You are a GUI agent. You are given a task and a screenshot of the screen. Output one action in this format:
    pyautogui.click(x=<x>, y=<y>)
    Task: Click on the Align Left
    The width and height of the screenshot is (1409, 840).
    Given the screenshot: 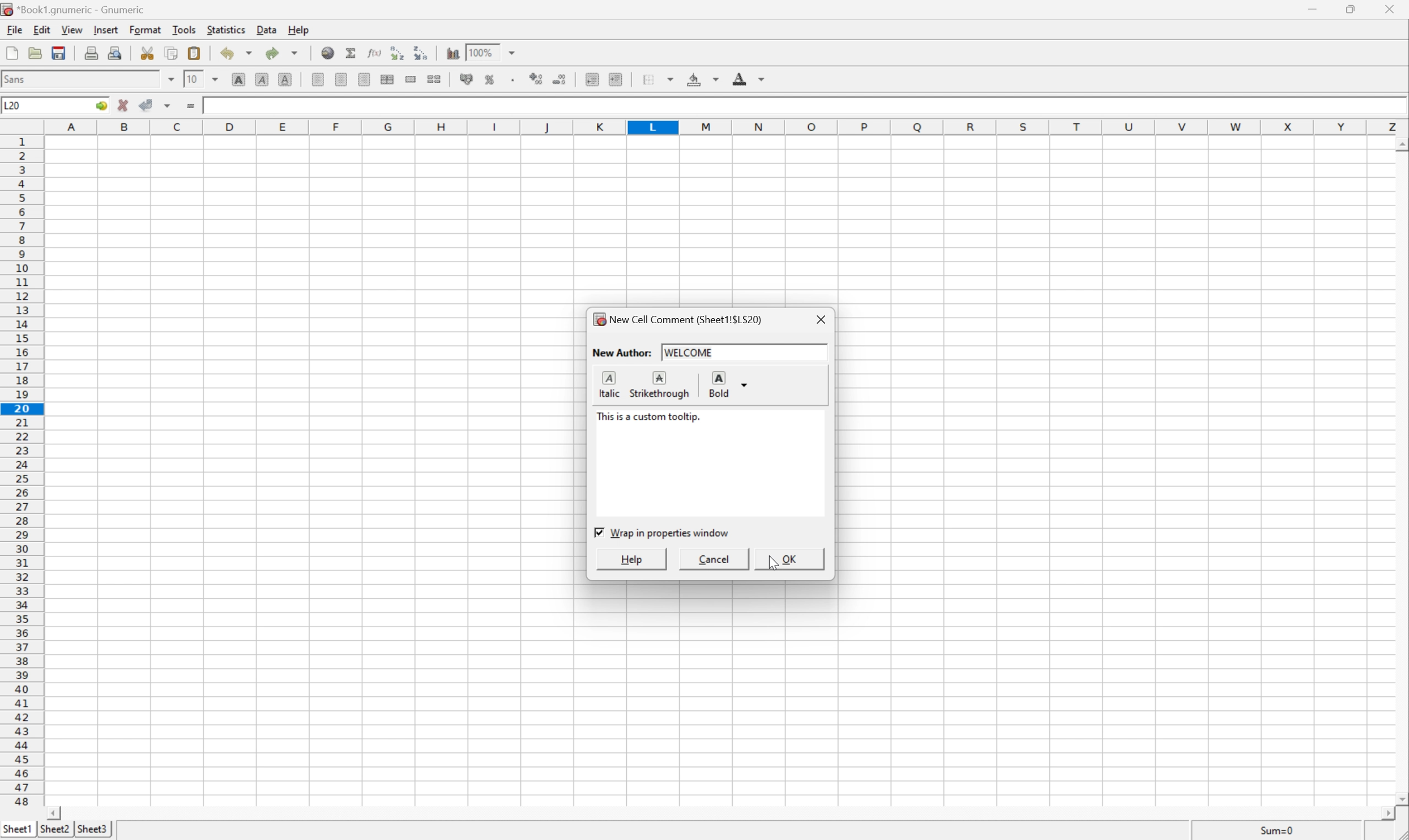 What is the action you would take?
    pyautogui.click(x=317, y=80)
    